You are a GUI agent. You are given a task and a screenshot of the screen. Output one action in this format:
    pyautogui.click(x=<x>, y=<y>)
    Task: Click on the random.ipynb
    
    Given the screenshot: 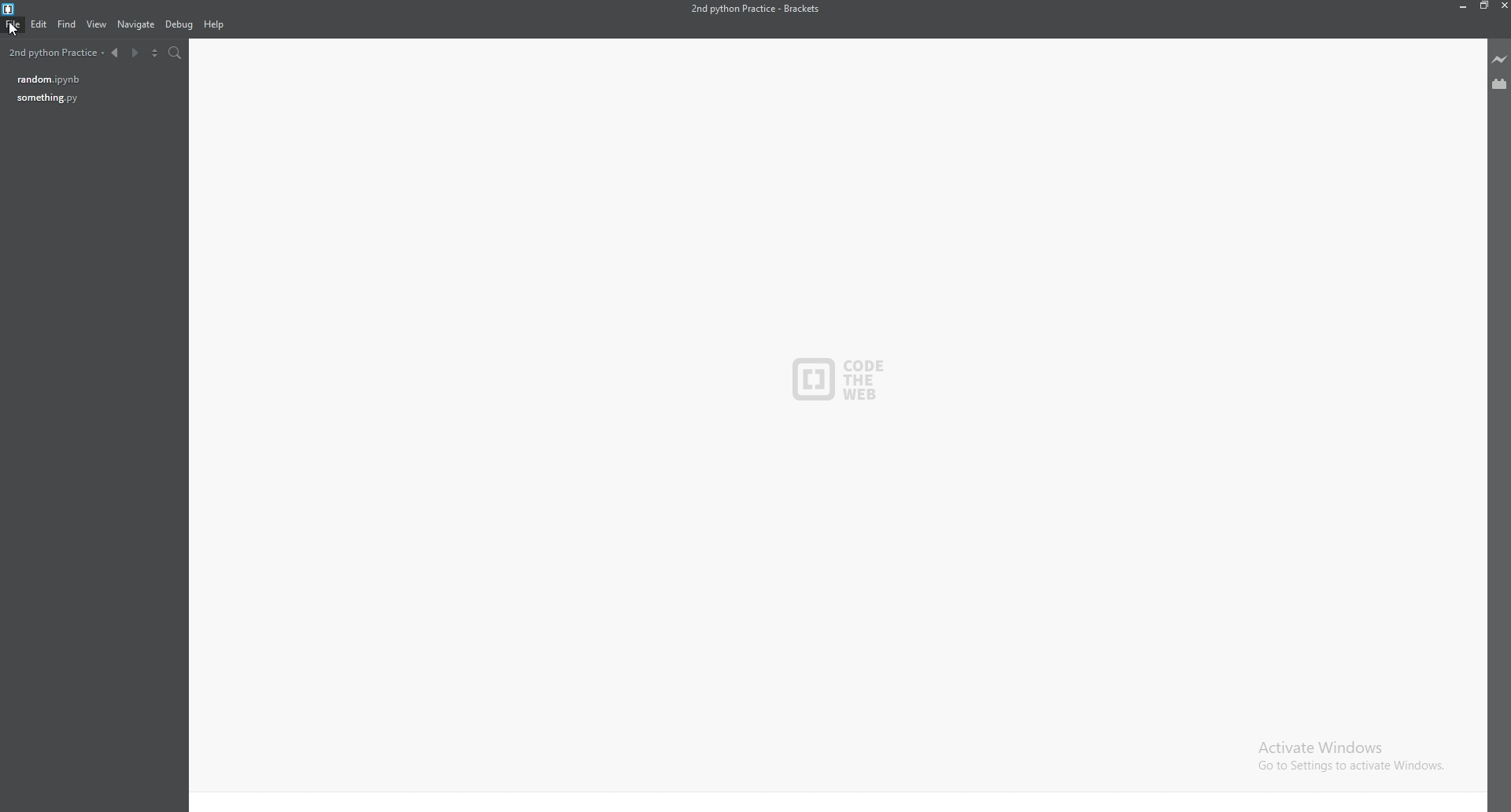 What is the action you would take?
    pyautogui.click(x=88, y=79)
    